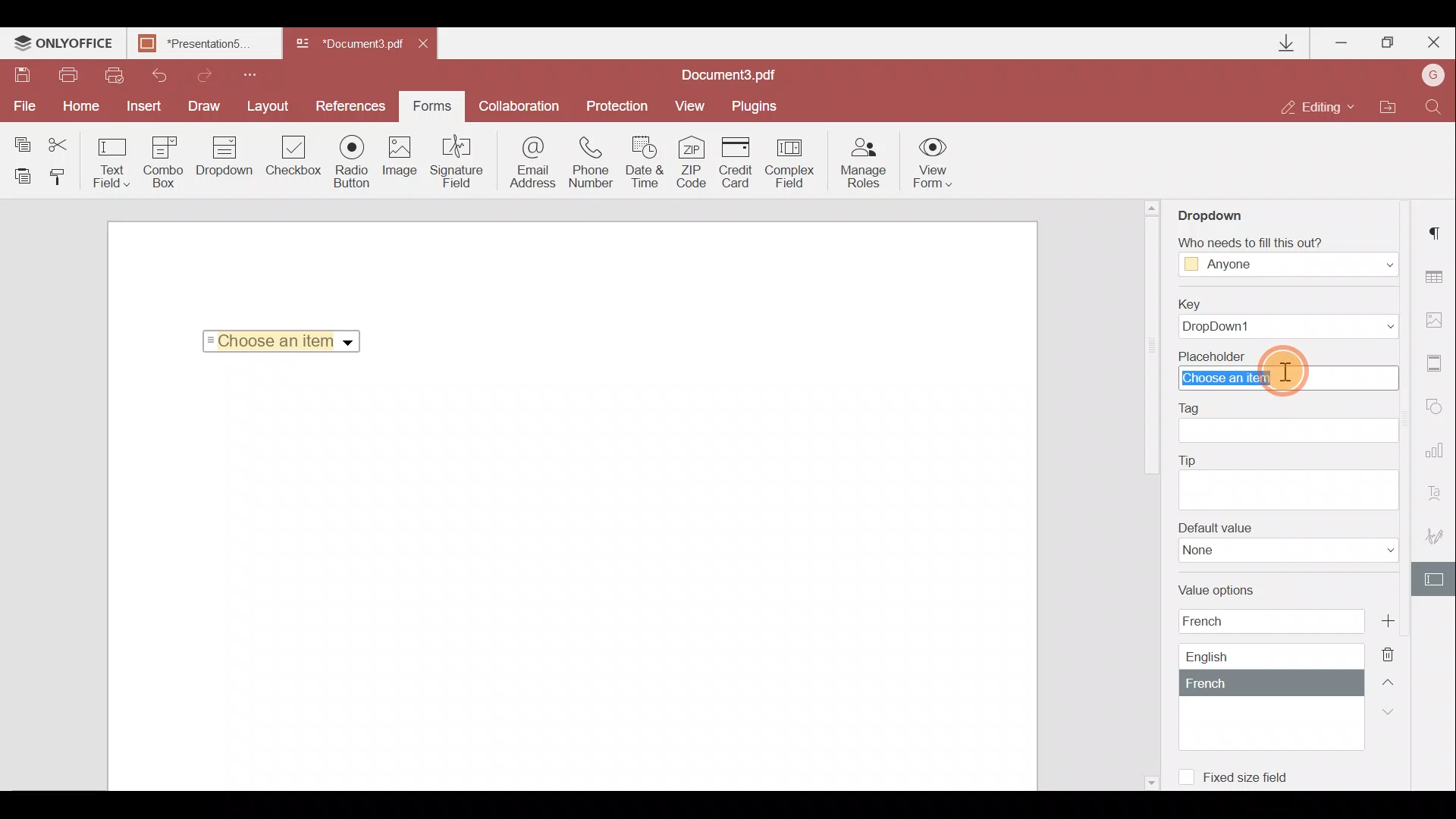 This screenshot has height=819, width=1456. I want to click on Signature settings, so click(1438, 540).